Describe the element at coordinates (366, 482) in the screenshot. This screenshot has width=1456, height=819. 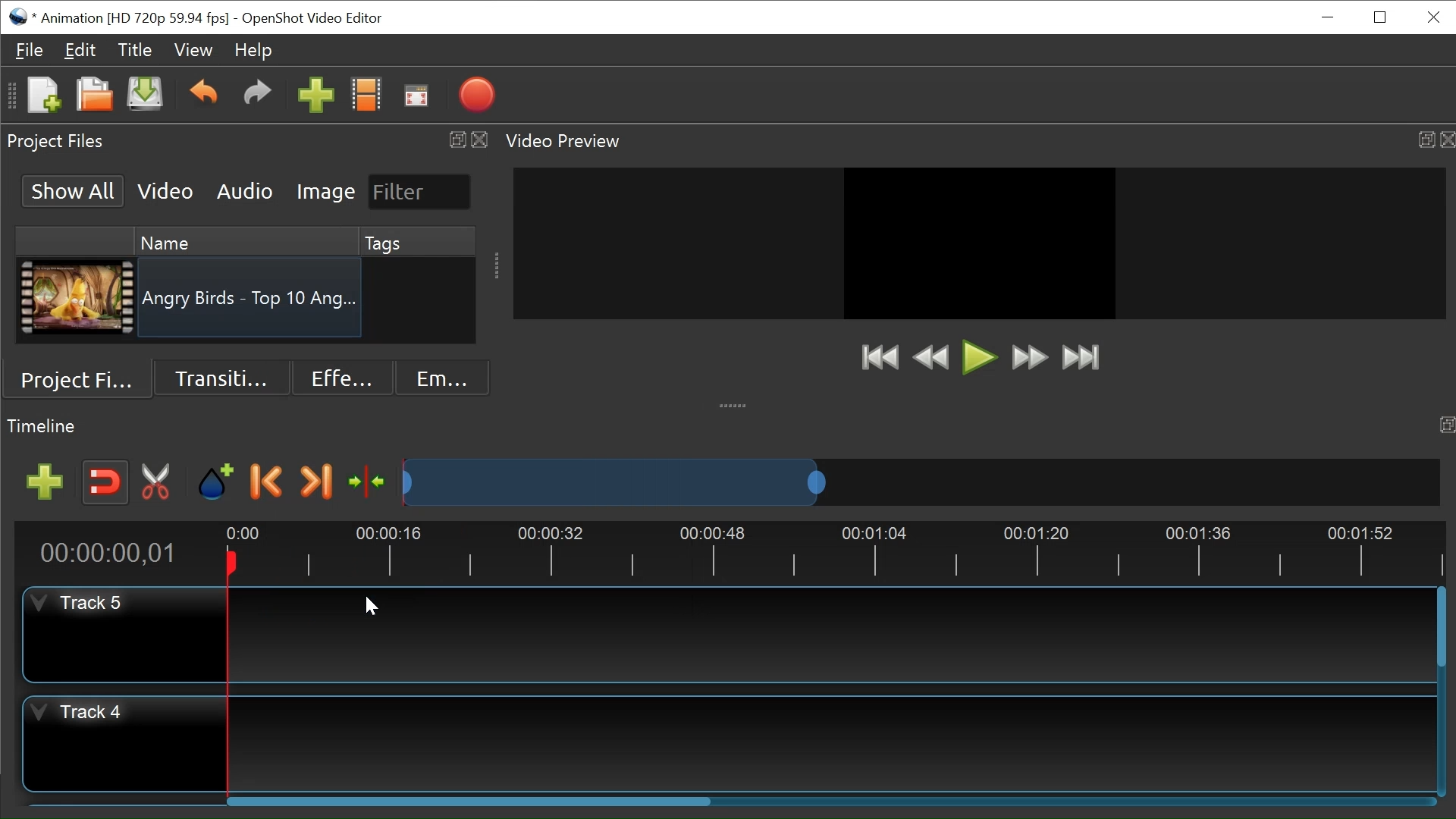
I see `Center the clips on the playhead` at that location.